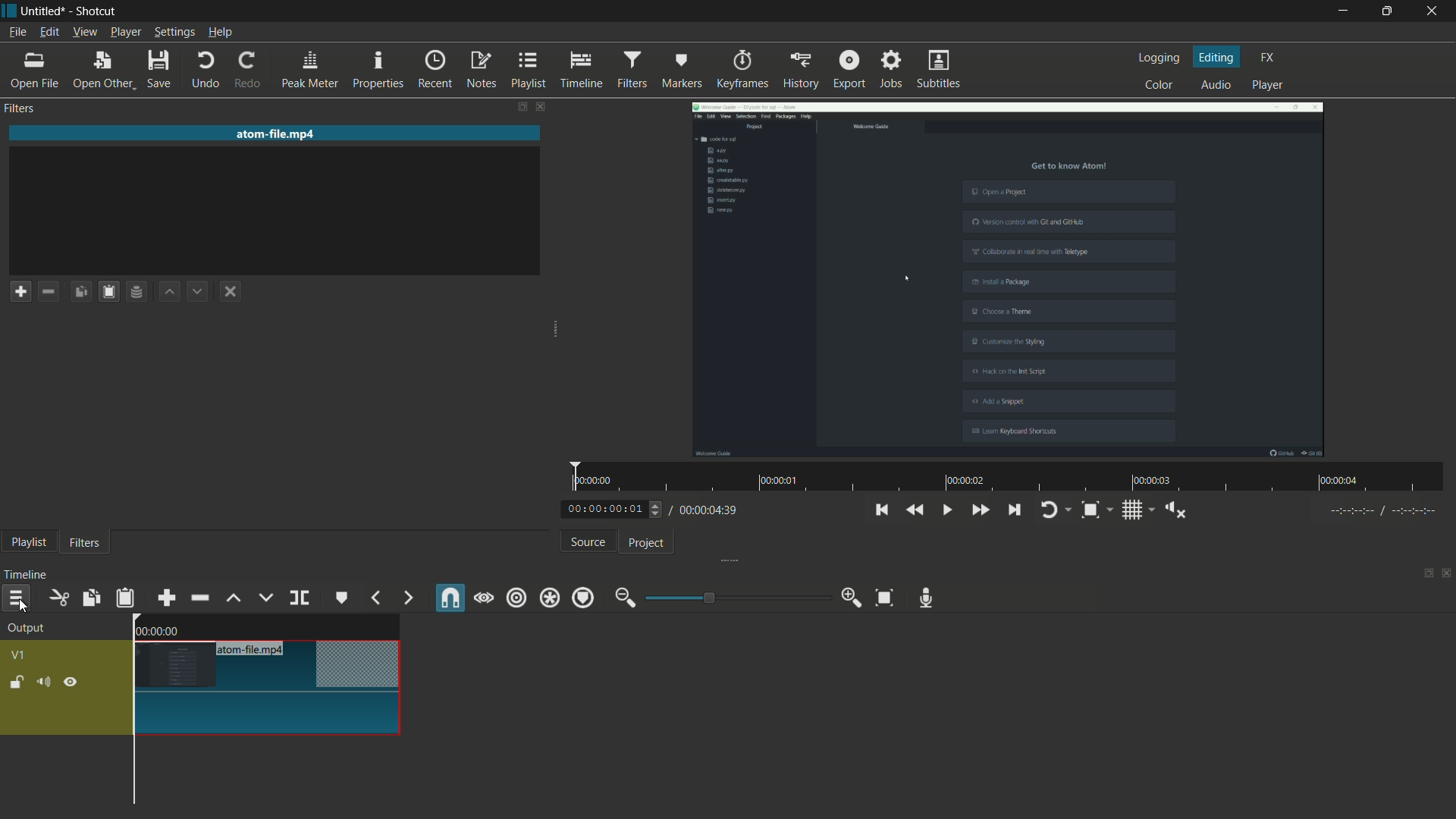 Image resolution: width=1456 pixels, height=819 pixels. What do you see at coordinates (916, 510) in the screenshot?
I see `quickly play backward` at bounding box center [916, 510].